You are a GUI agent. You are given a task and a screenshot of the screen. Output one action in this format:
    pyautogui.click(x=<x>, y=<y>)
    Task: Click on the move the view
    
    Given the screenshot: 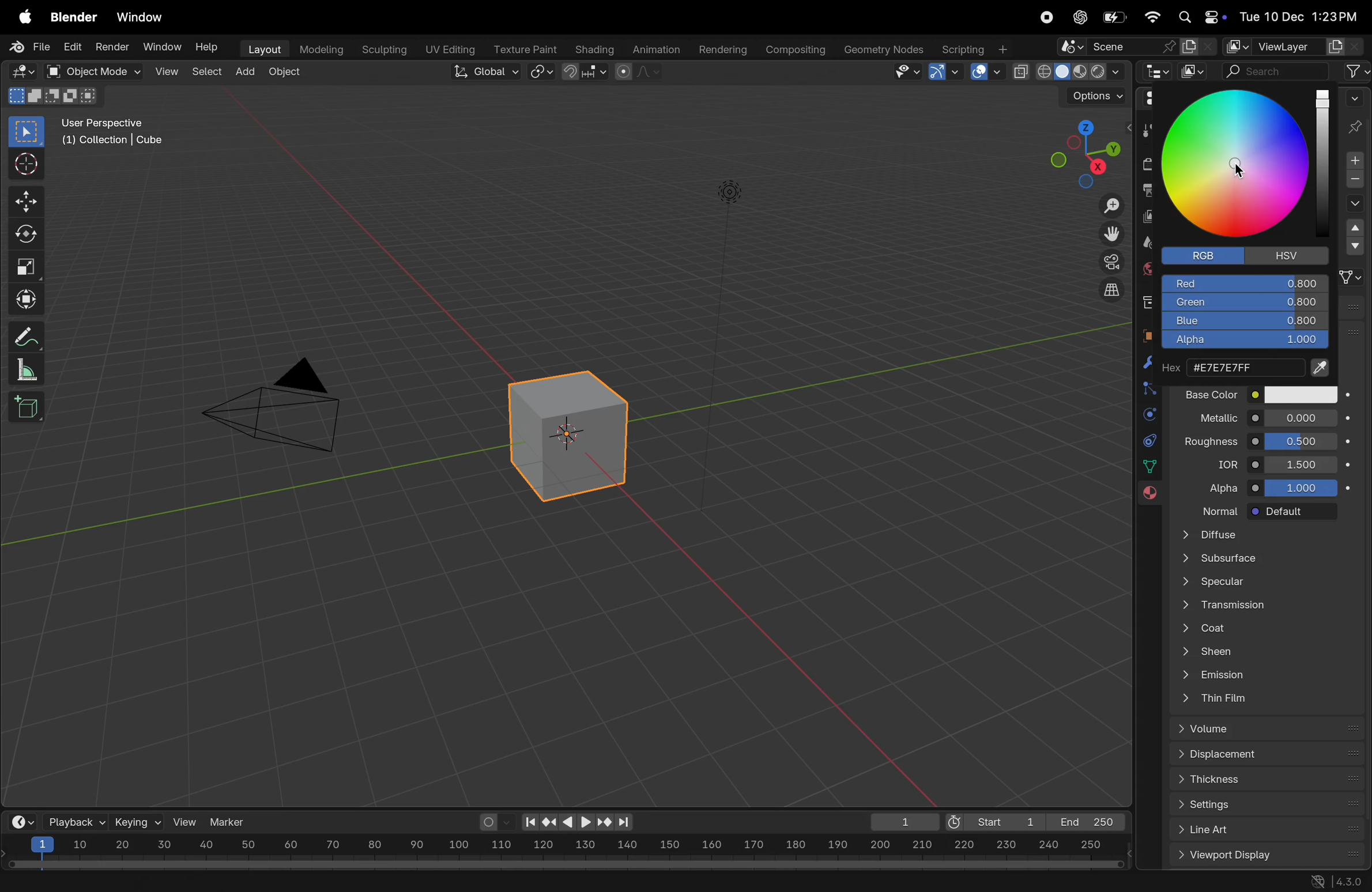 What is the action you would take?
    pyautogui.click(x=1111, y=232)
    